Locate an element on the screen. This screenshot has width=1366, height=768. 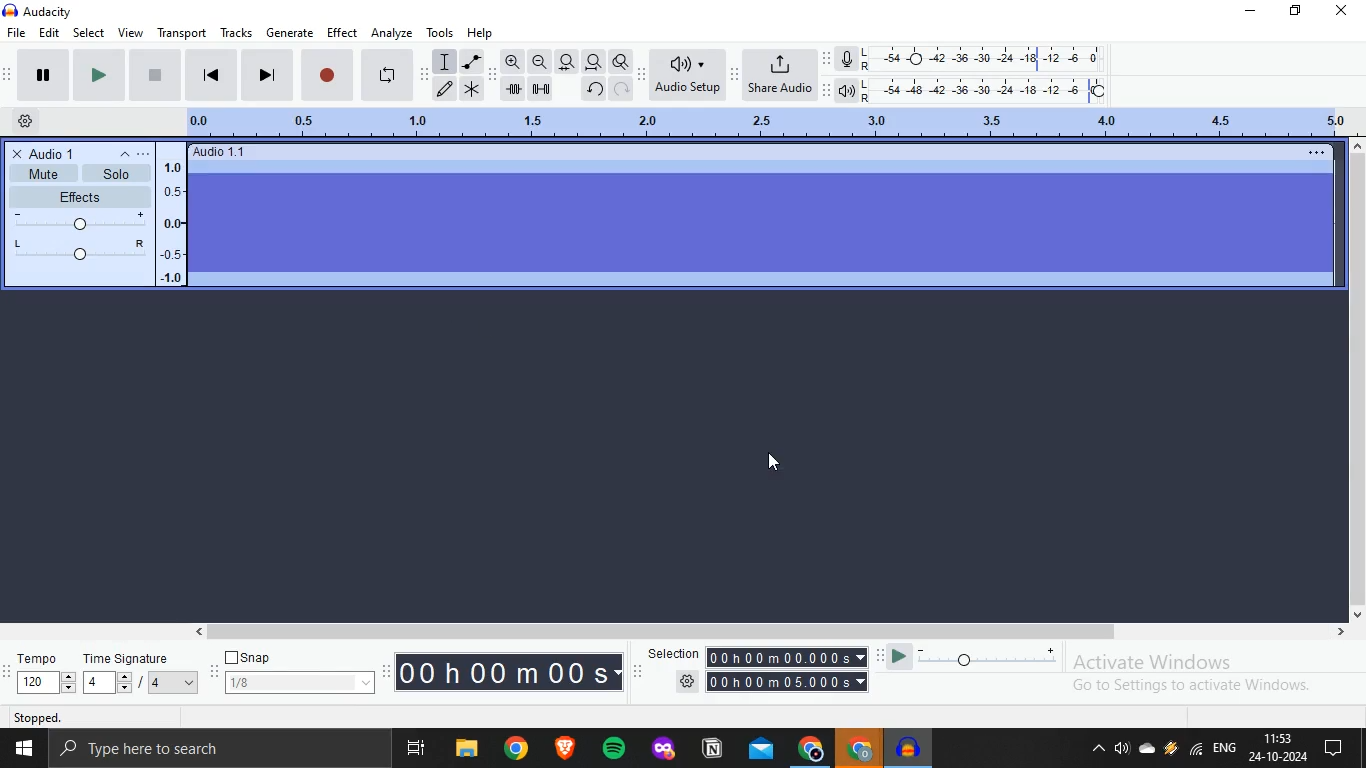
Transport is located at coordinates (181, 33).